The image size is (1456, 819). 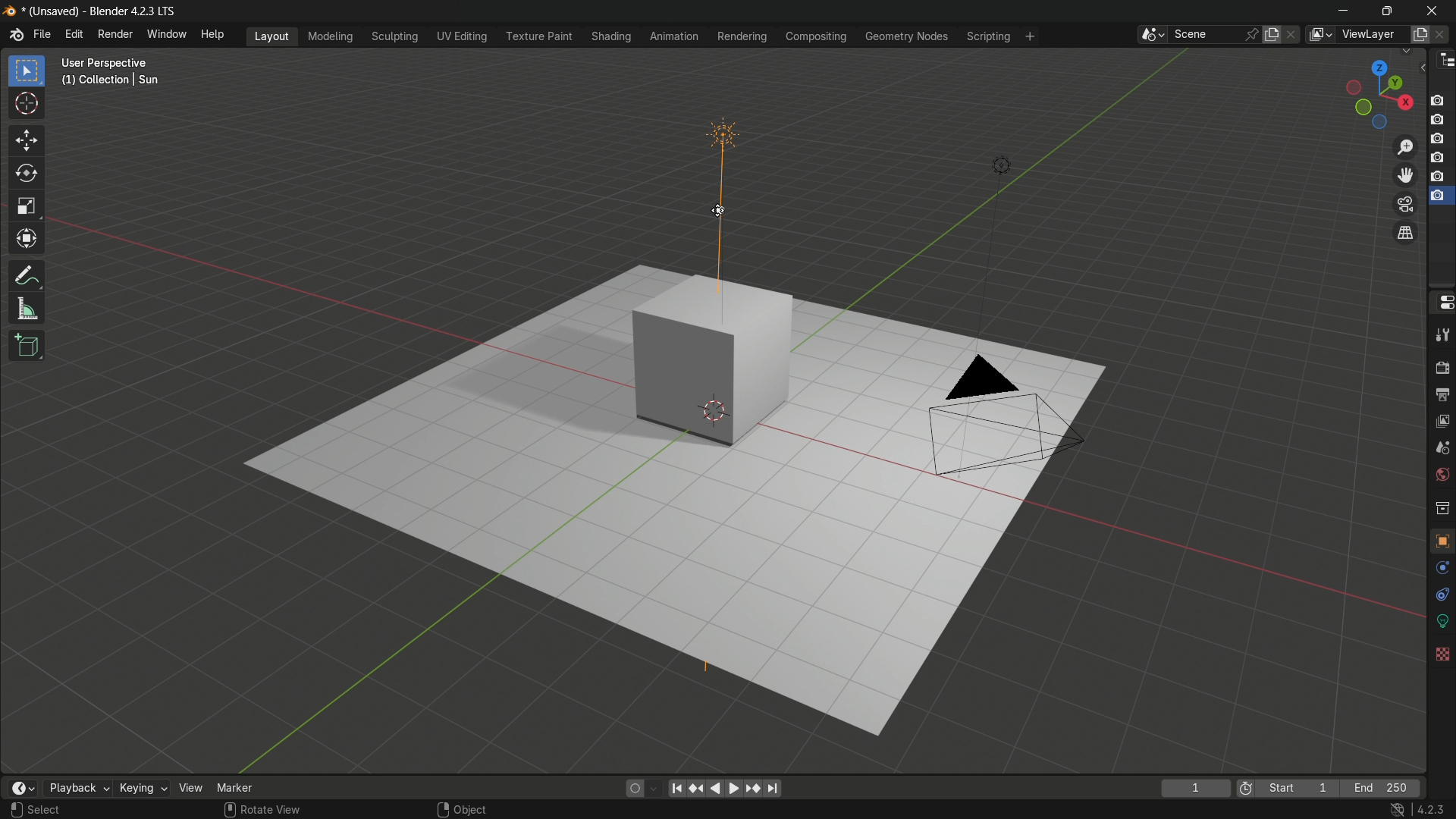 What do you see at coordinates (1436, 9) in the screenshot?
I see `close app` at bounding box center [1436, 9].